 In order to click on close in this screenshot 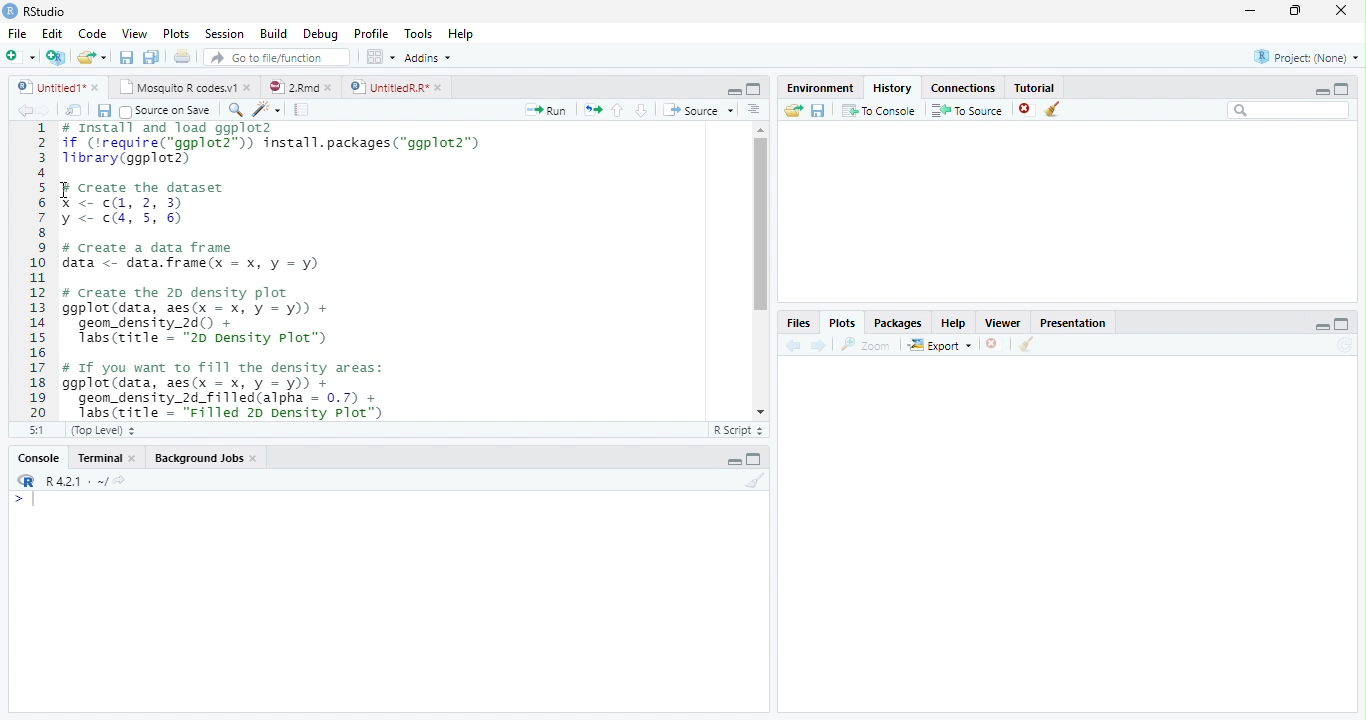, I will do `click(250, 88)`.